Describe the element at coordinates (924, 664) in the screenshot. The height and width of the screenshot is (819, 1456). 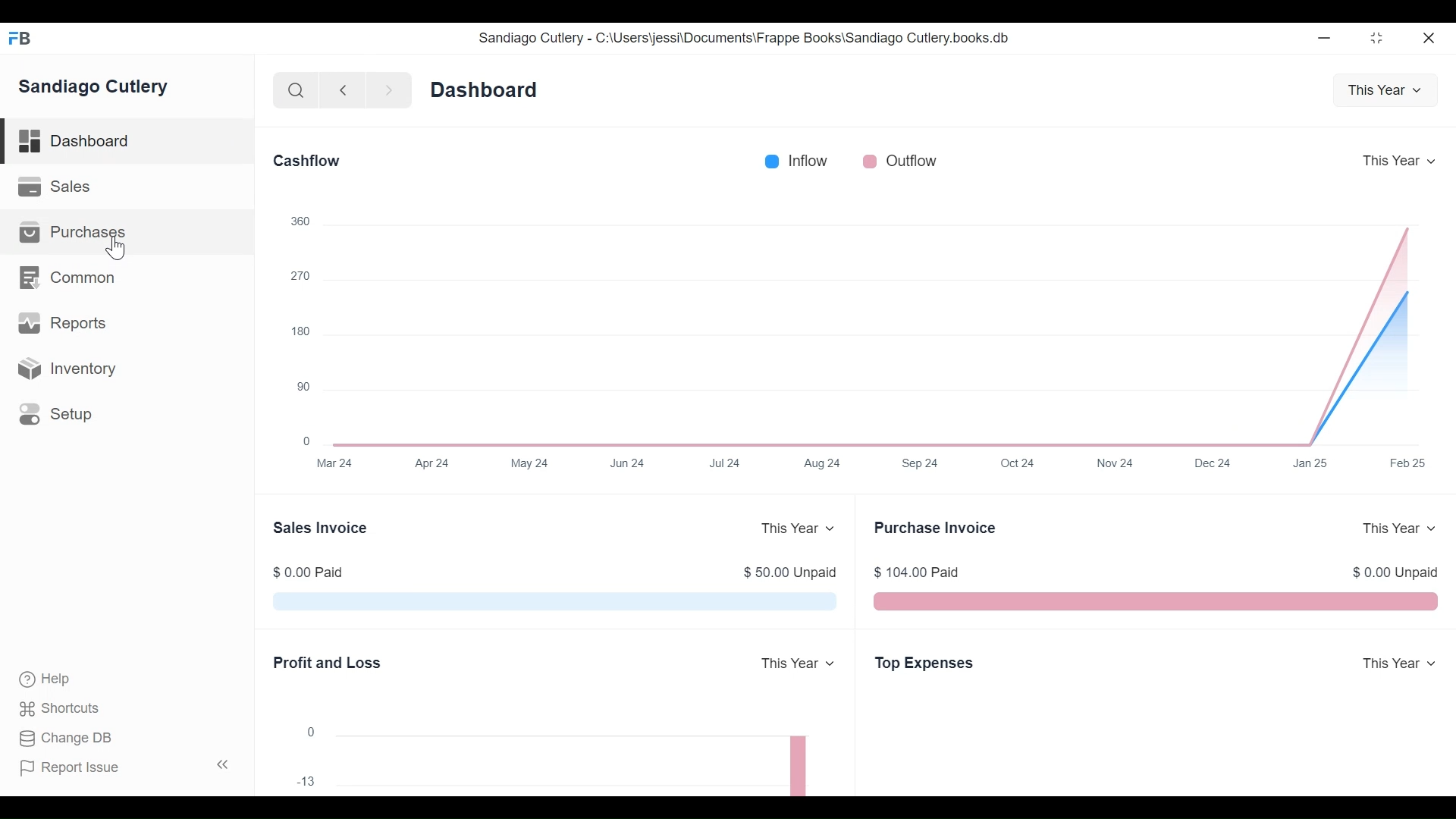
I see `Top Expenses` at that location.